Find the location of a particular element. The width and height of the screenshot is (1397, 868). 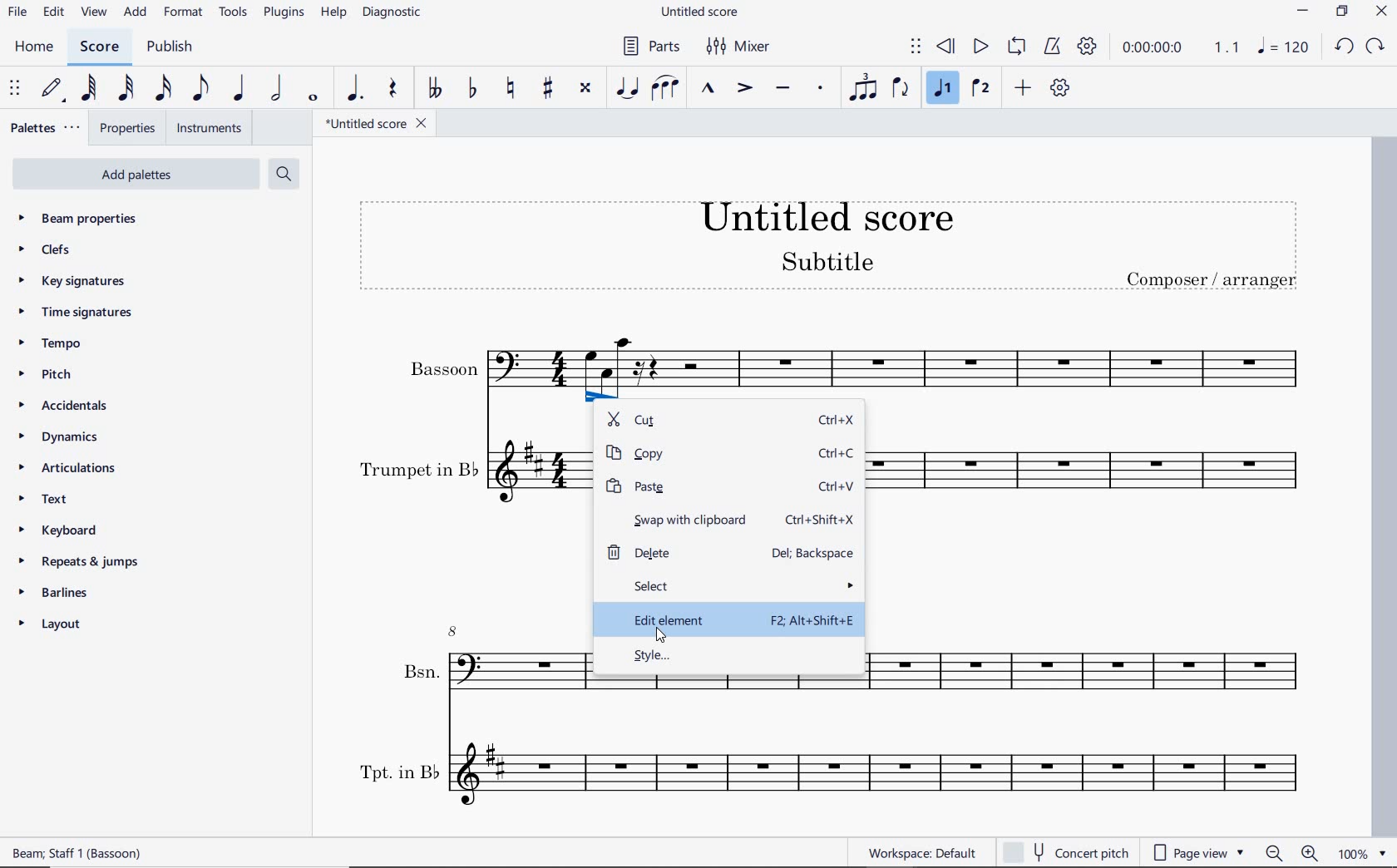

workspace: default is located at coordinates (921, 855).